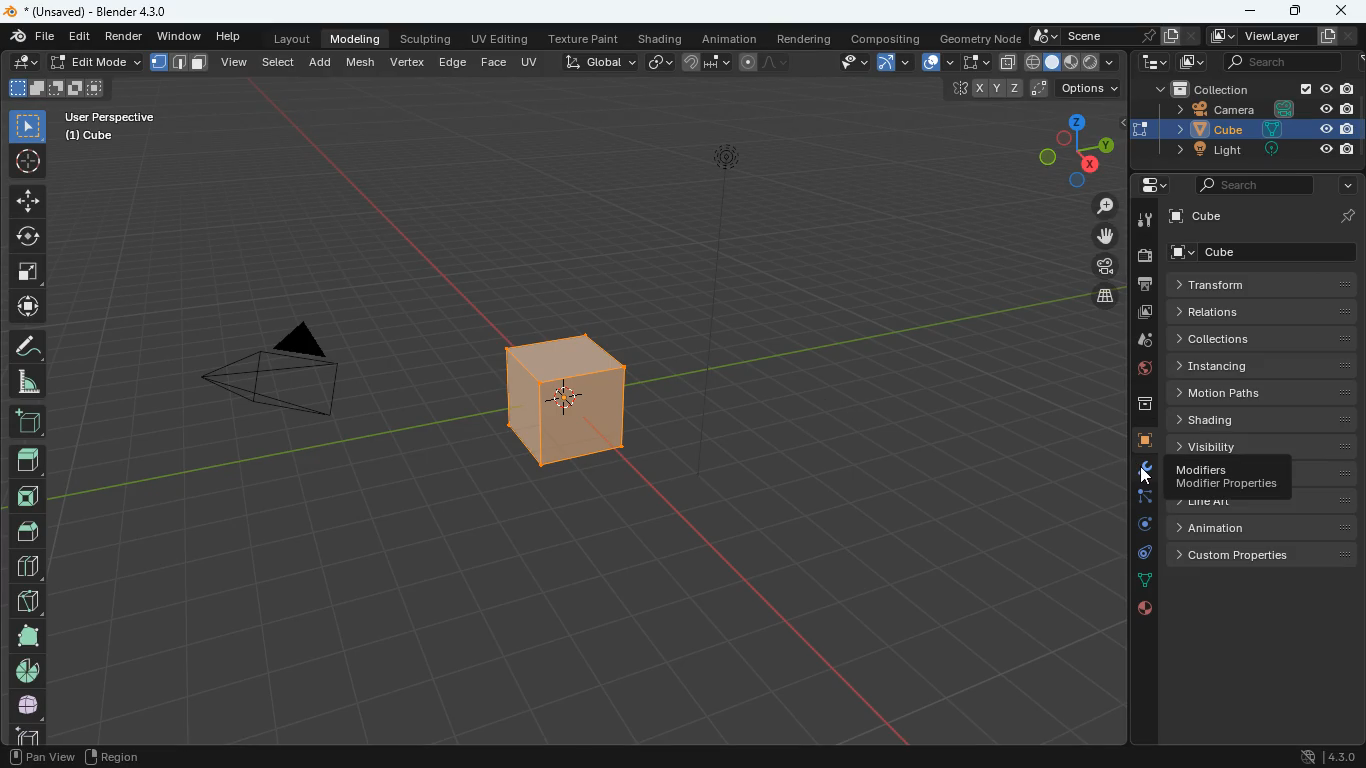 The image size is (1366, 768). I want to click on minimize, so click(1252, 12).